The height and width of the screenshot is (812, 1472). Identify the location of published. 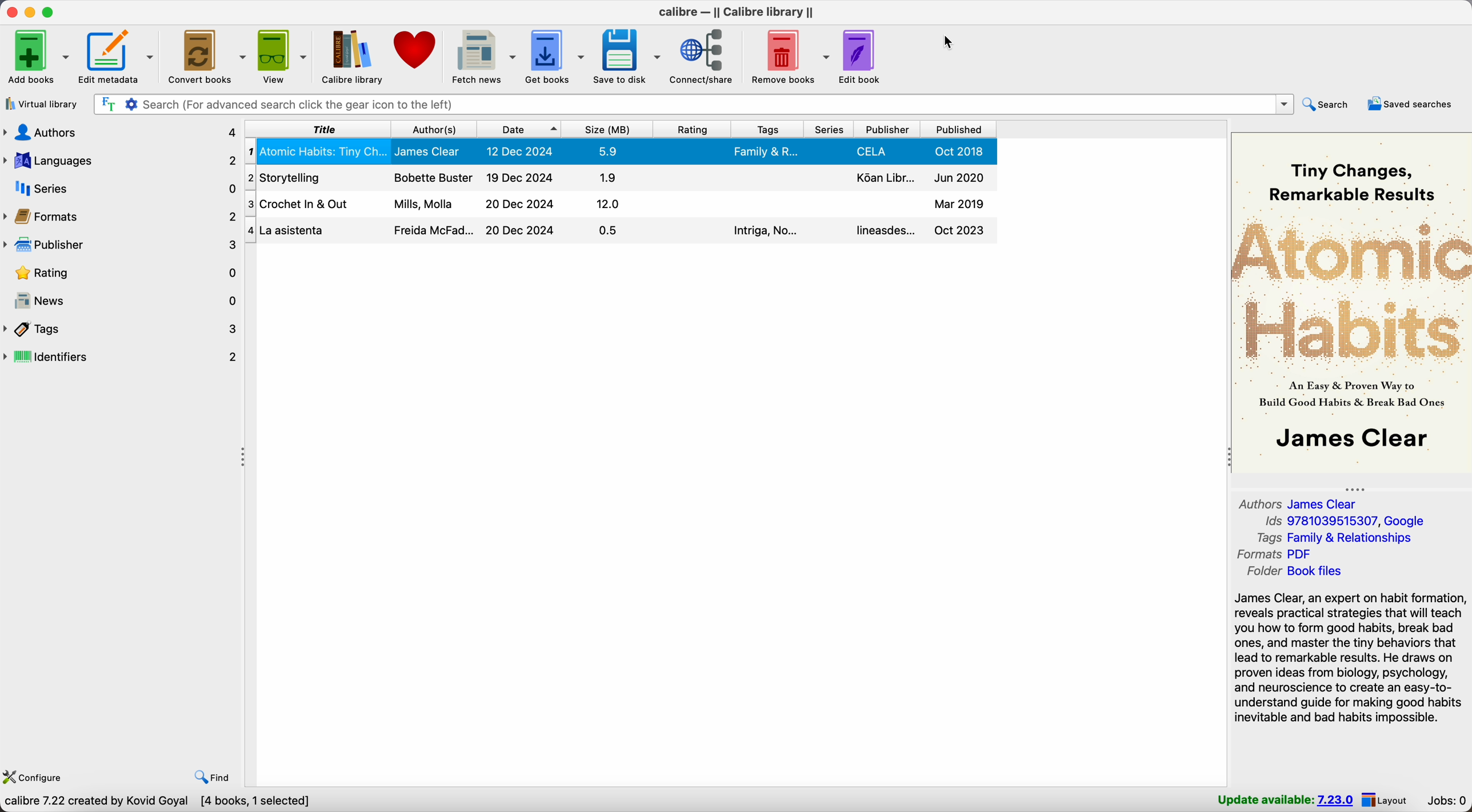
(958, 129).